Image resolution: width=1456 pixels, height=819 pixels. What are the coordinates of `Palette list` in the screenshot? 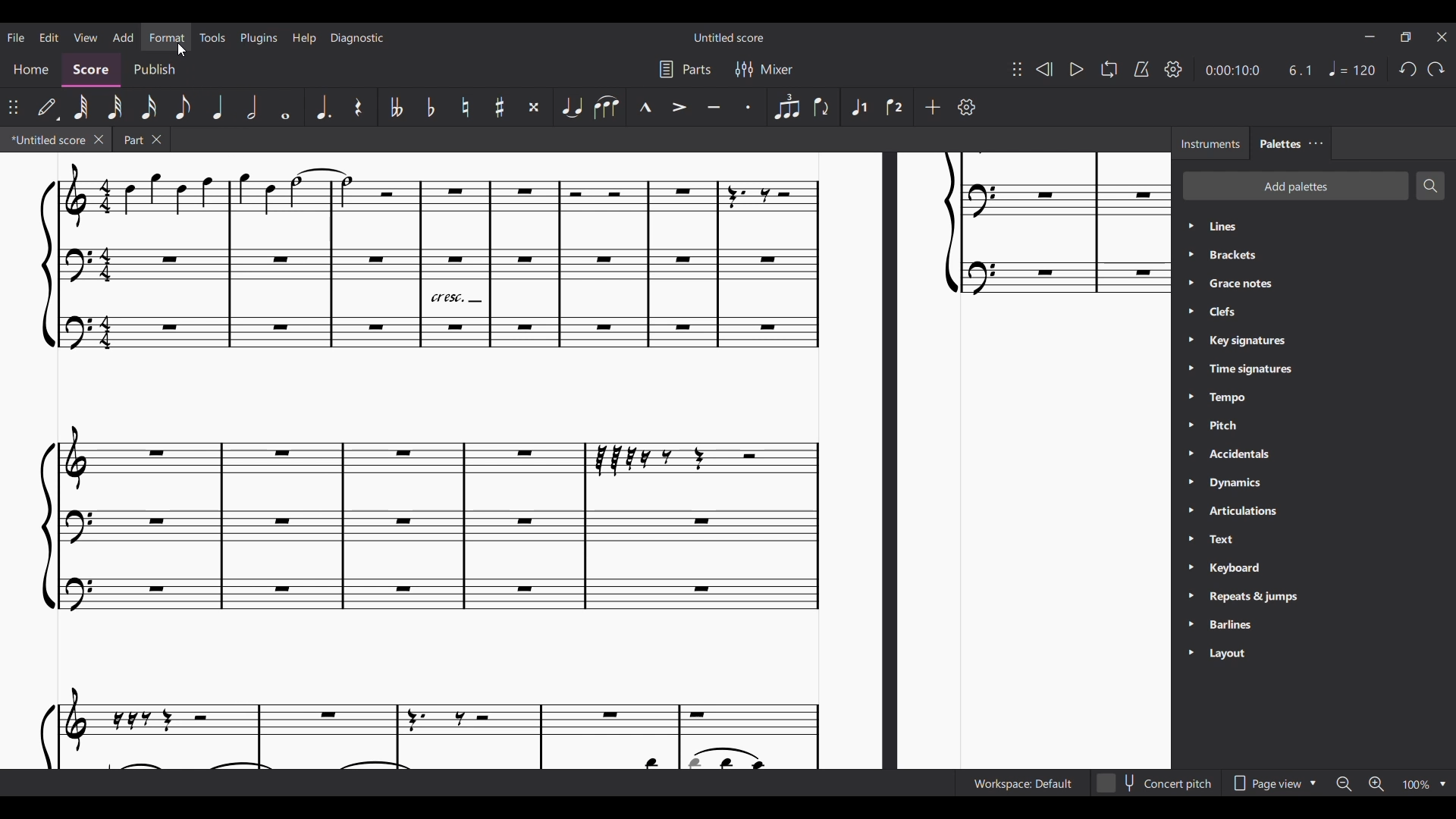 It's located at (1329, 441).